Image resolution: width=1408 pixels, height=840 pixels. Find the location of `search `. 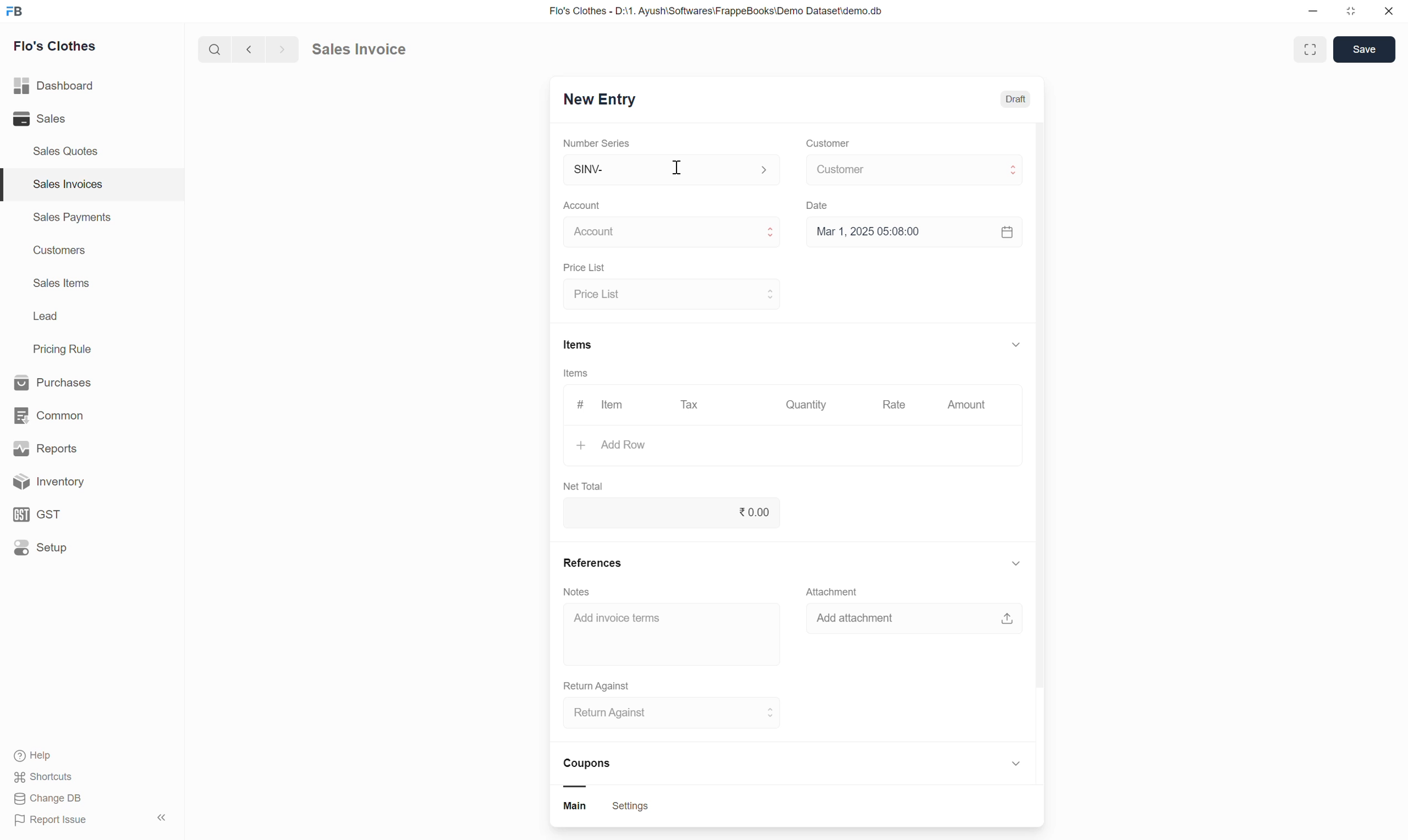

search  is located at coordinates (212, 52).